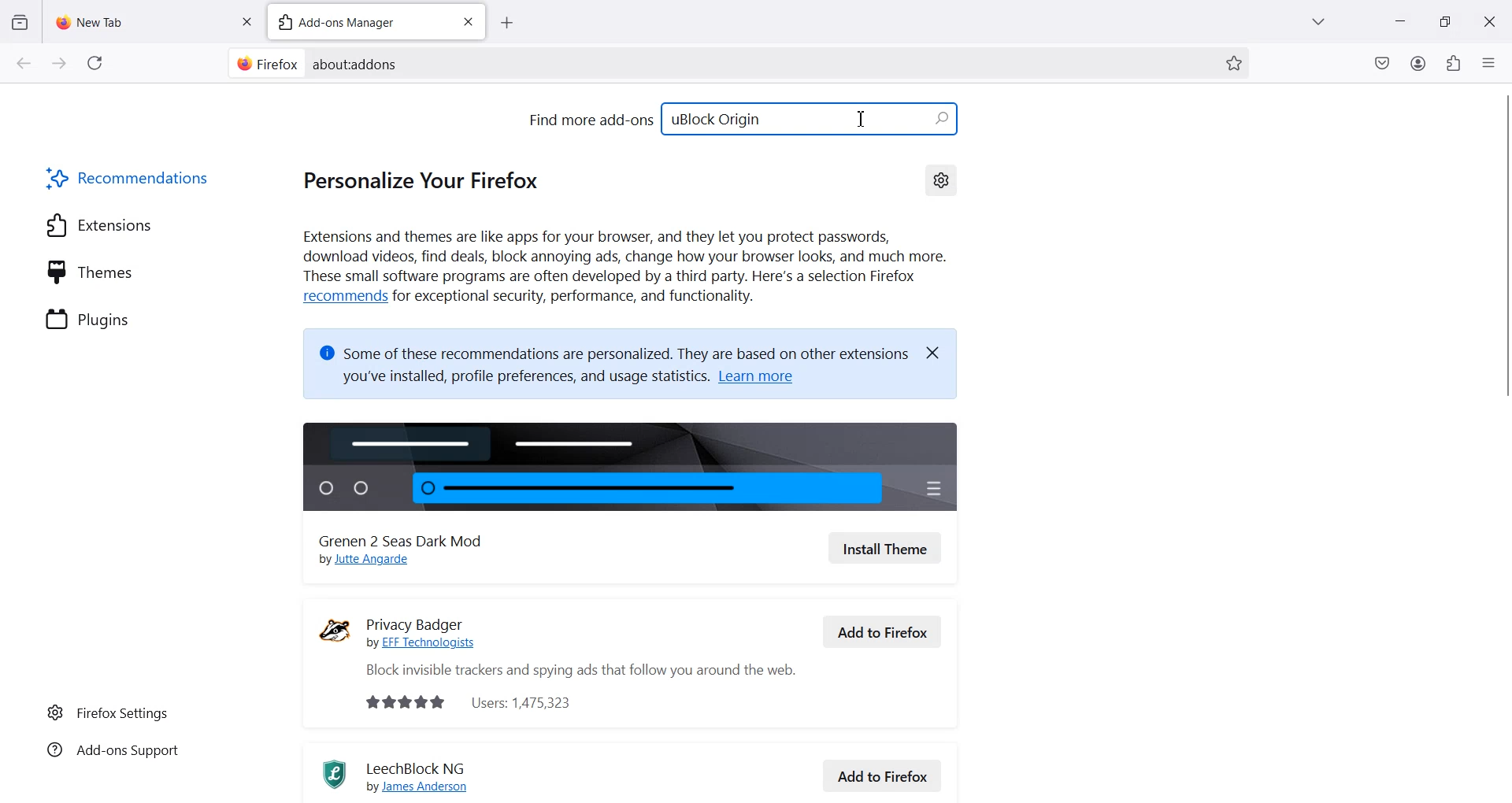 Image resolution: width=1512 pixels, height=803 pixels. What do you see at coordinates (410, 538) in the screenshot?
I see `Grenen 2 Seas Dark Mod` at bounding box center [410, 538].